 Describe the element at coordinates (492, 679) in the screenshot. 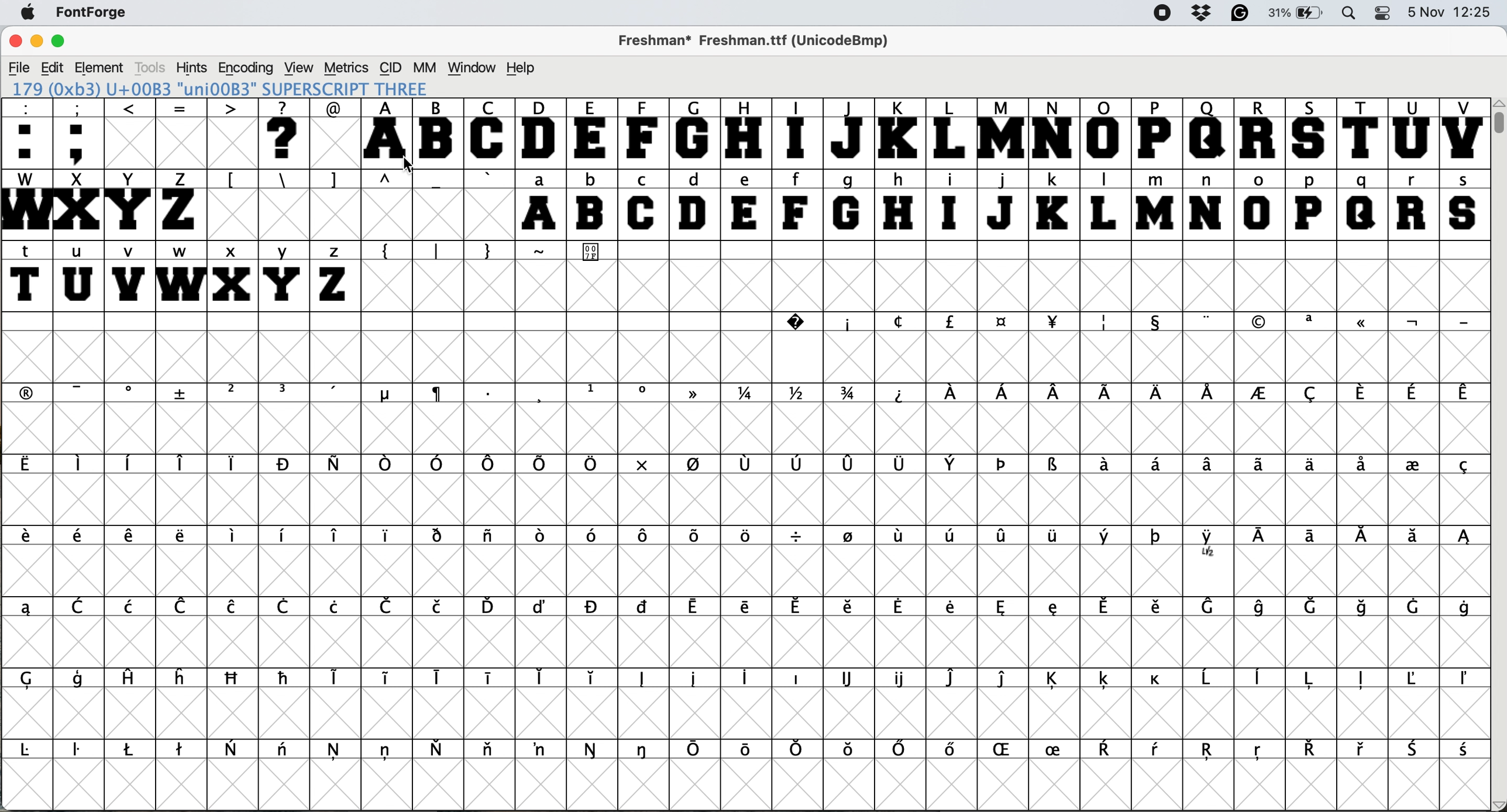

I see `symbol` at that location.